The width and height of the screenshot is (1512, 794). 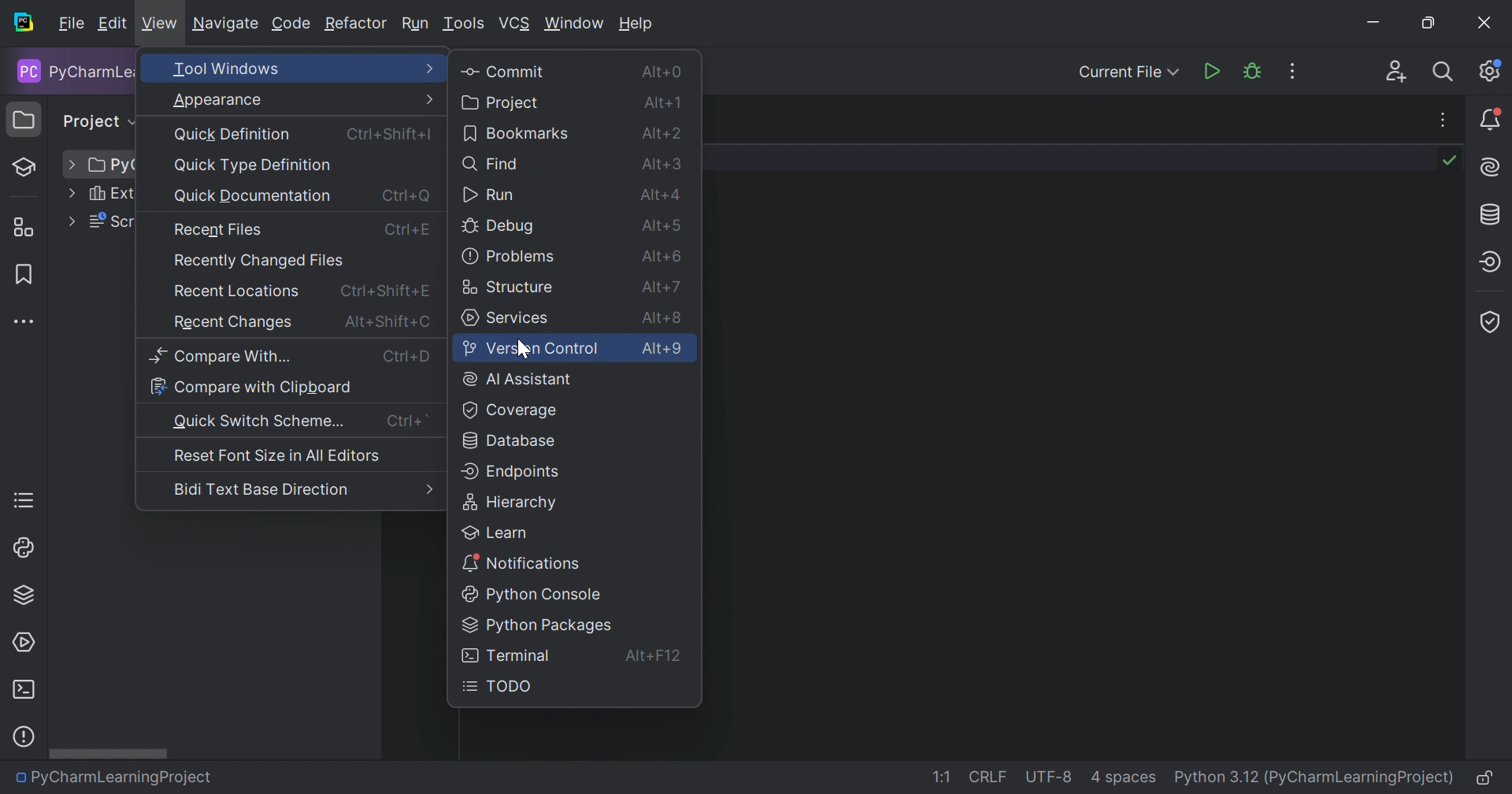 What do you see at coordinates (302, 69) in the screenshot?
I see `Tool Windows` at bounding box center [302, 69].